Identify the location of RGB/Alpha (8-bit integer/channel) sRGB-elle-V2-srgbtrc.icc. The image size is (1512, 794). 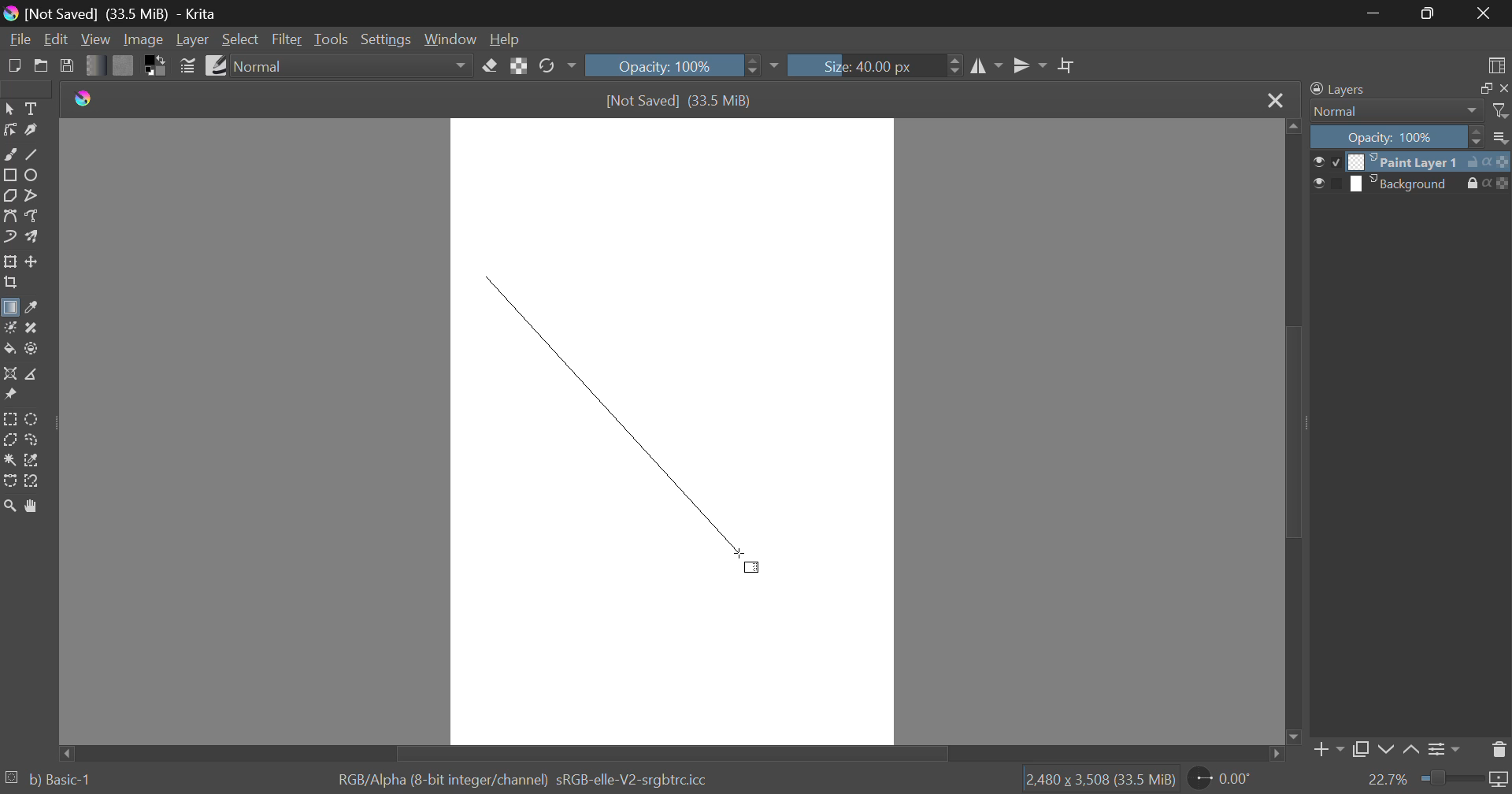
(528, 777).